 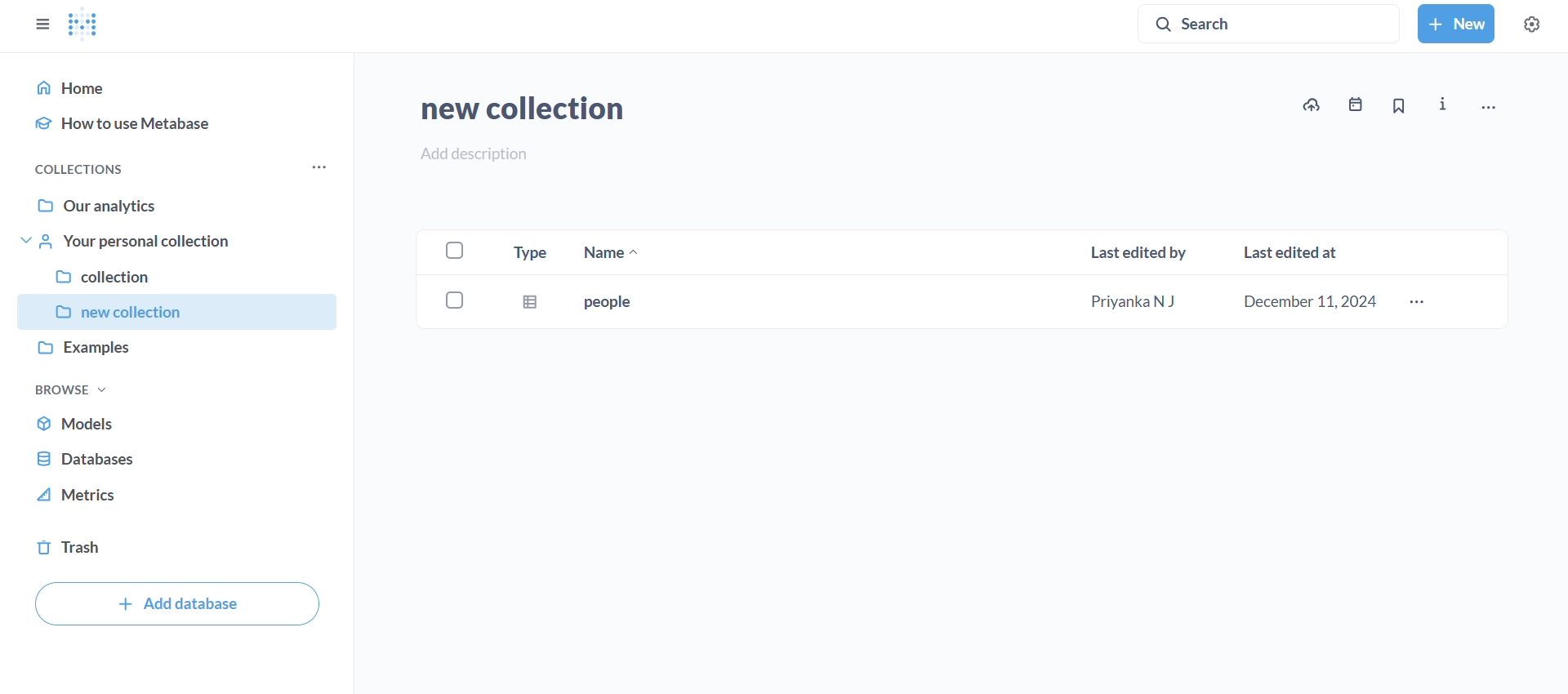 I want to click on models, so click(x=183, y=425).